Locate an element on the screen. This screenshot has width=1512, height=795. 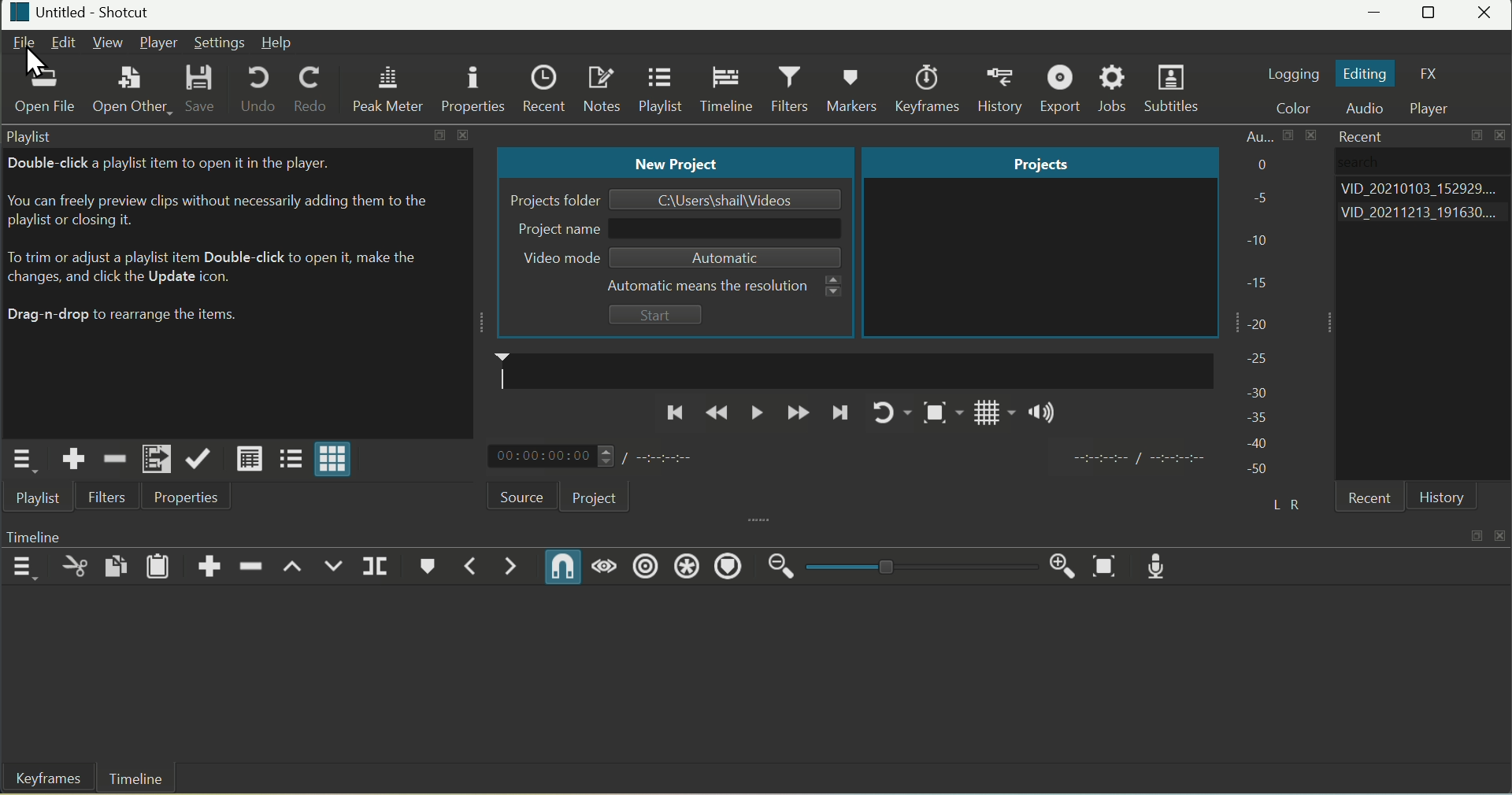
Close is located at coordinates (1487, 15).